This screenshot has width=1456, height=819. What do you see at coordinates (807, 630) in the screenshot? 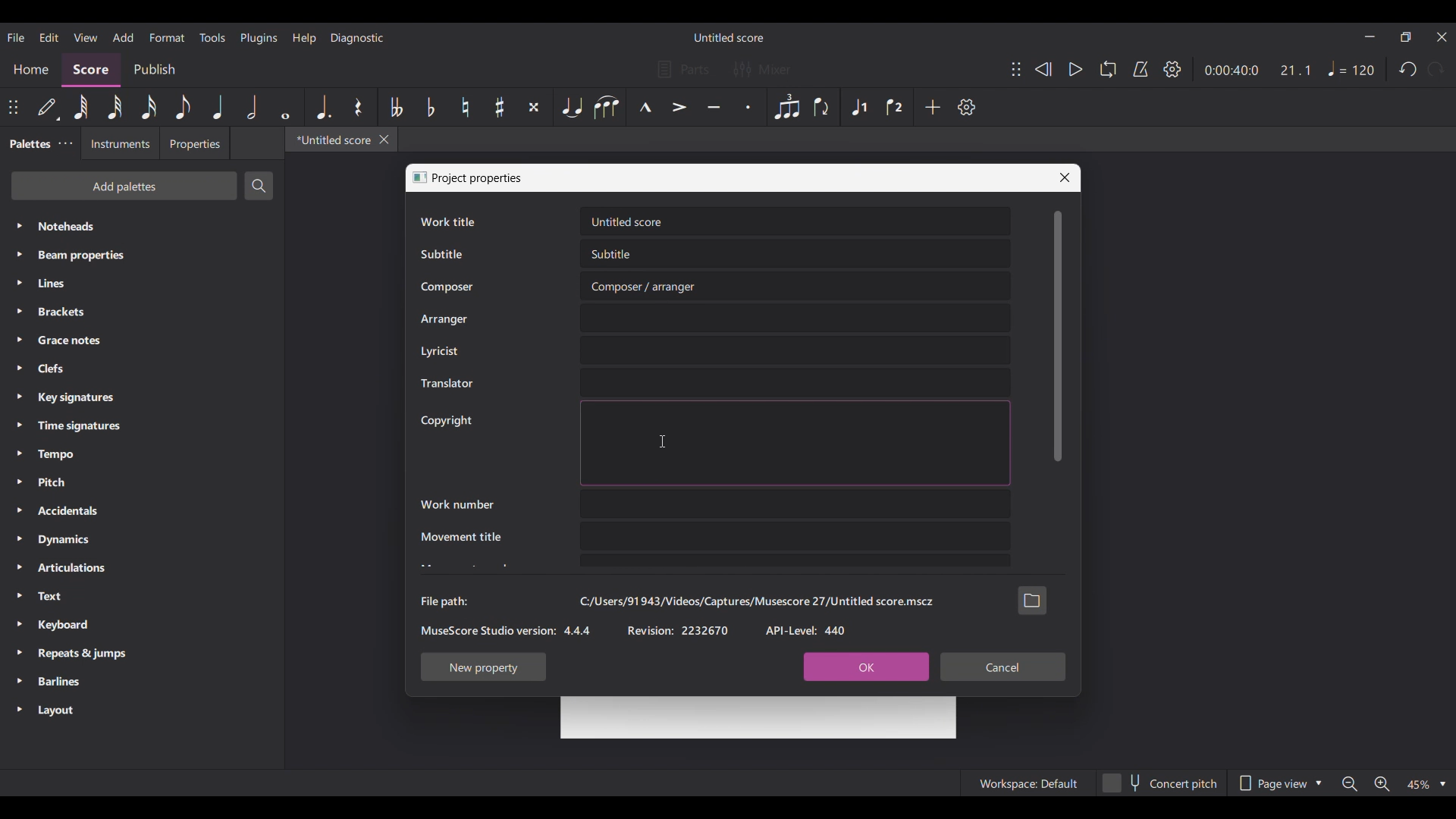
I see `API-Level: 440` at bounding box center [807, 630].